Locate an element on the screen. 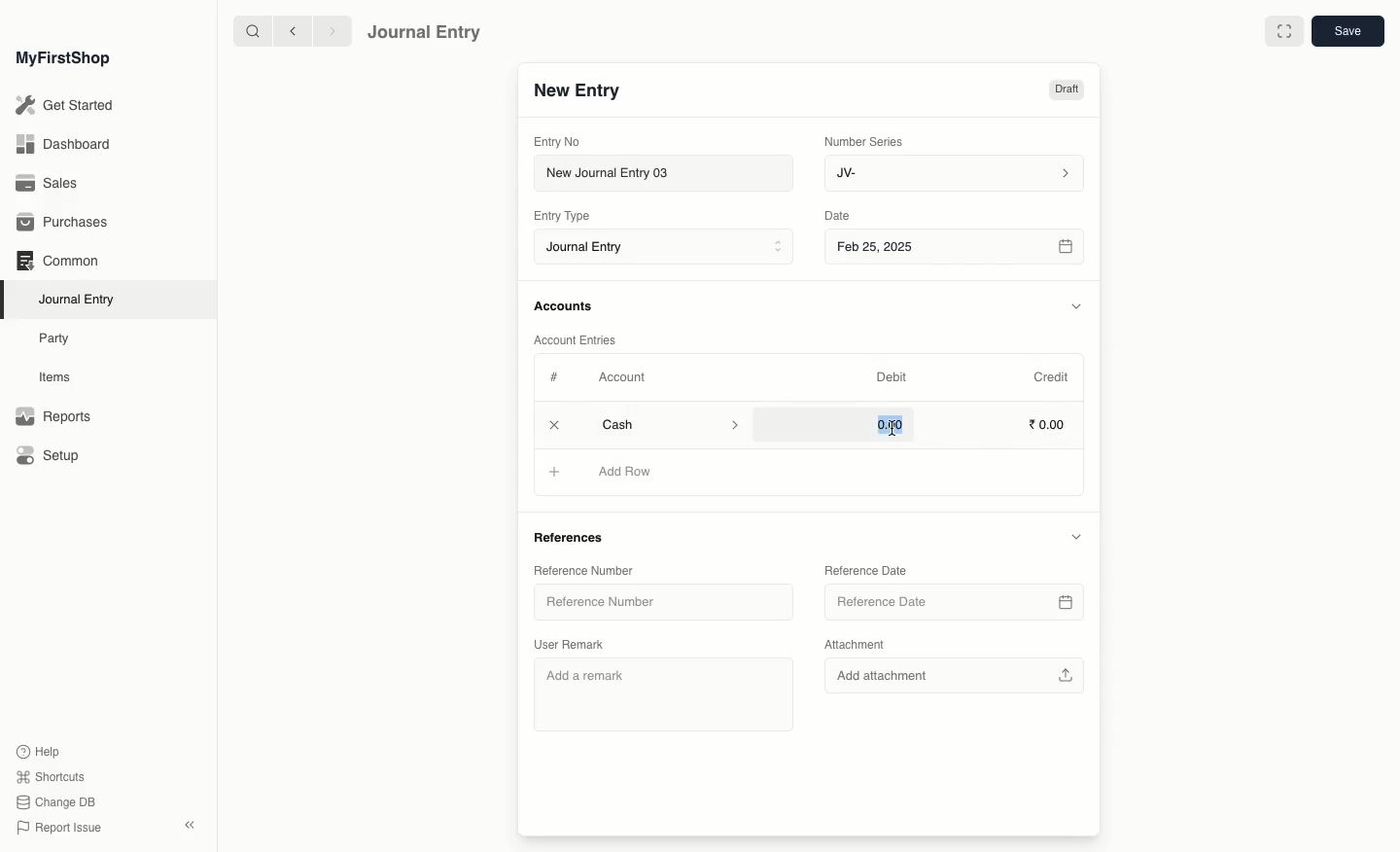  Full width toggle is located at coordinates (1282, 32).